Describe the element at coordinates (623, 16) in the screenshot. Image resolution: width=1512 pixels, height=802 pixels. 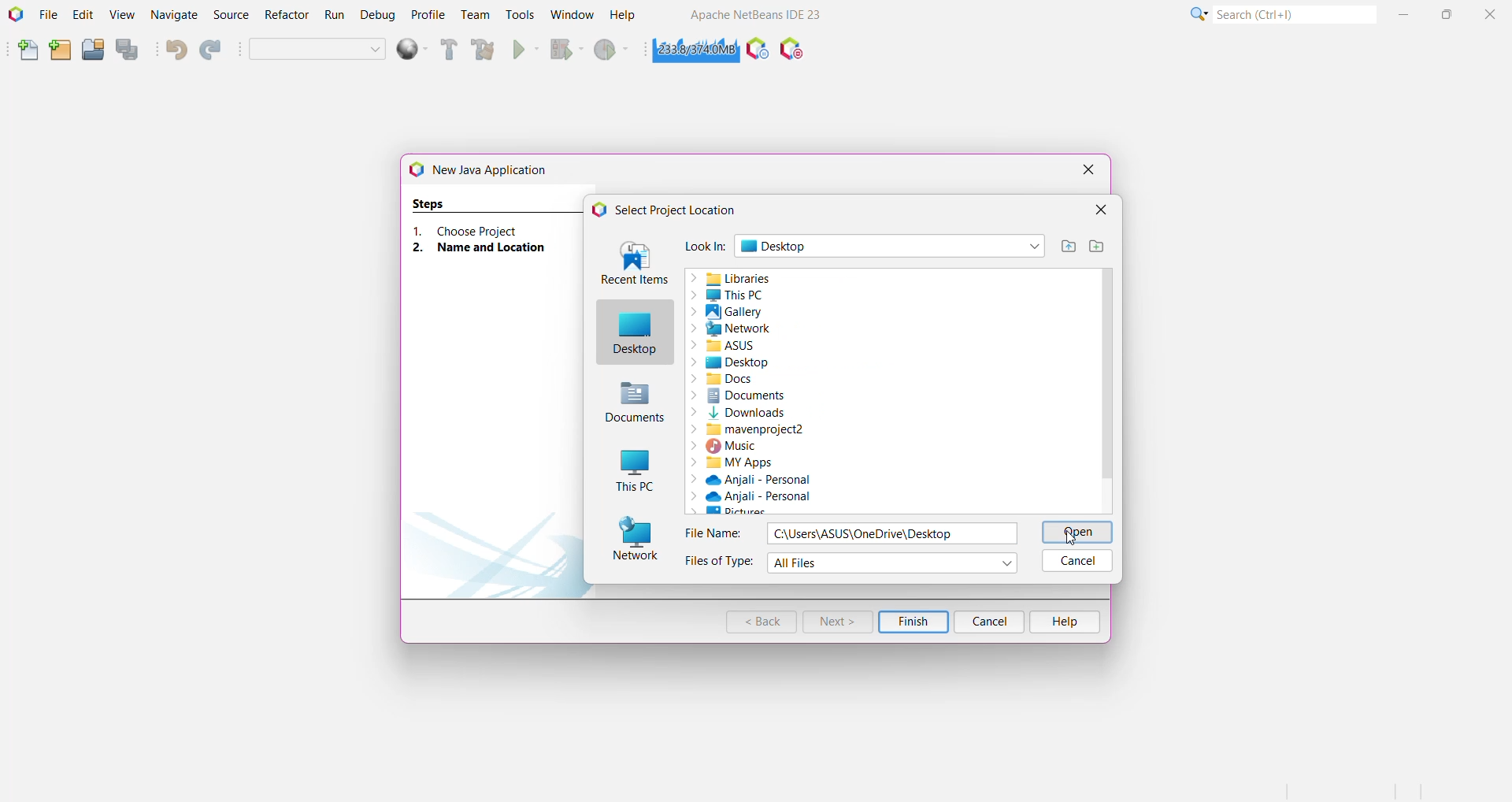
I see `Help` at that location.